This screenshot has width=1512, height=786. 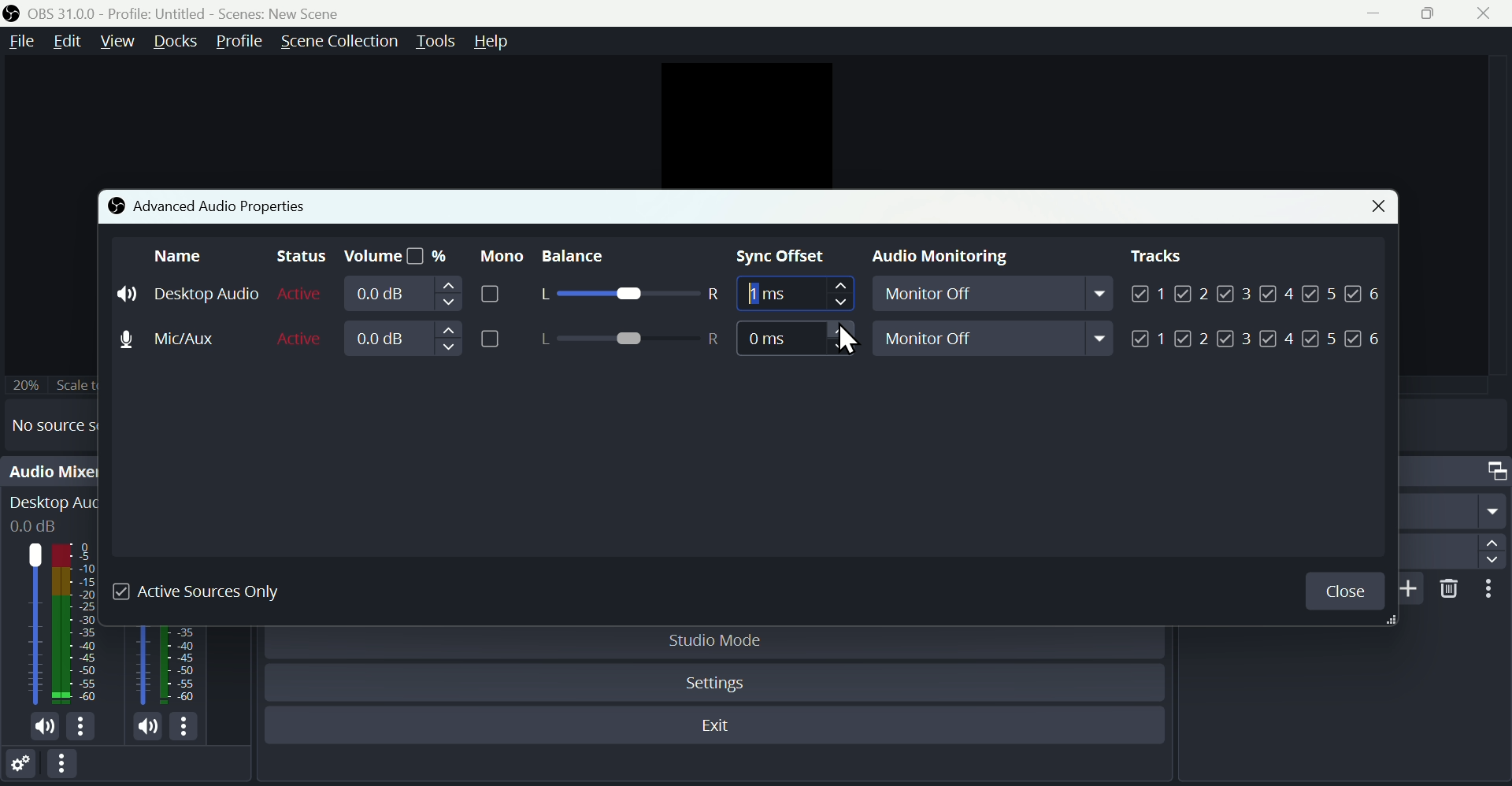 I want to click on More options, so click(x=82, y=727).